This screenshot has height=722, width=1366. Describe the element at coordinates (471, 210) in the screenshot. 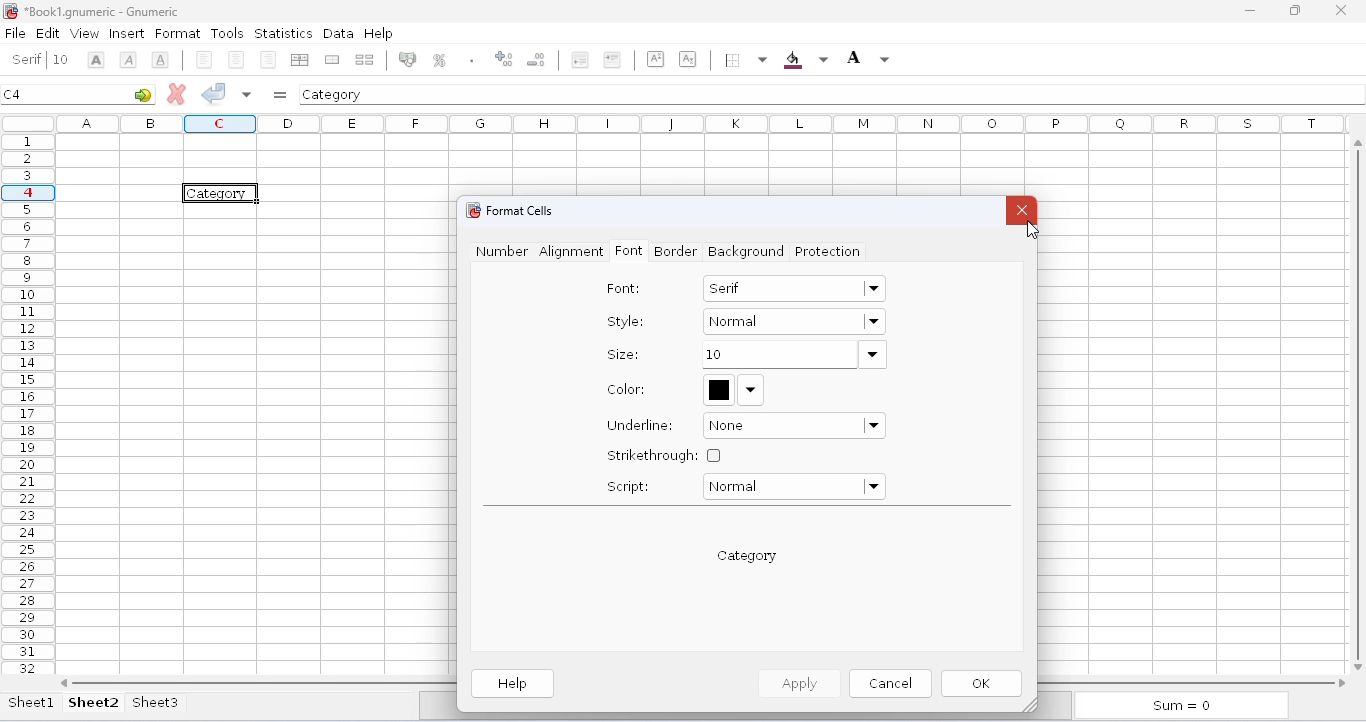

I see `logo` at that location.